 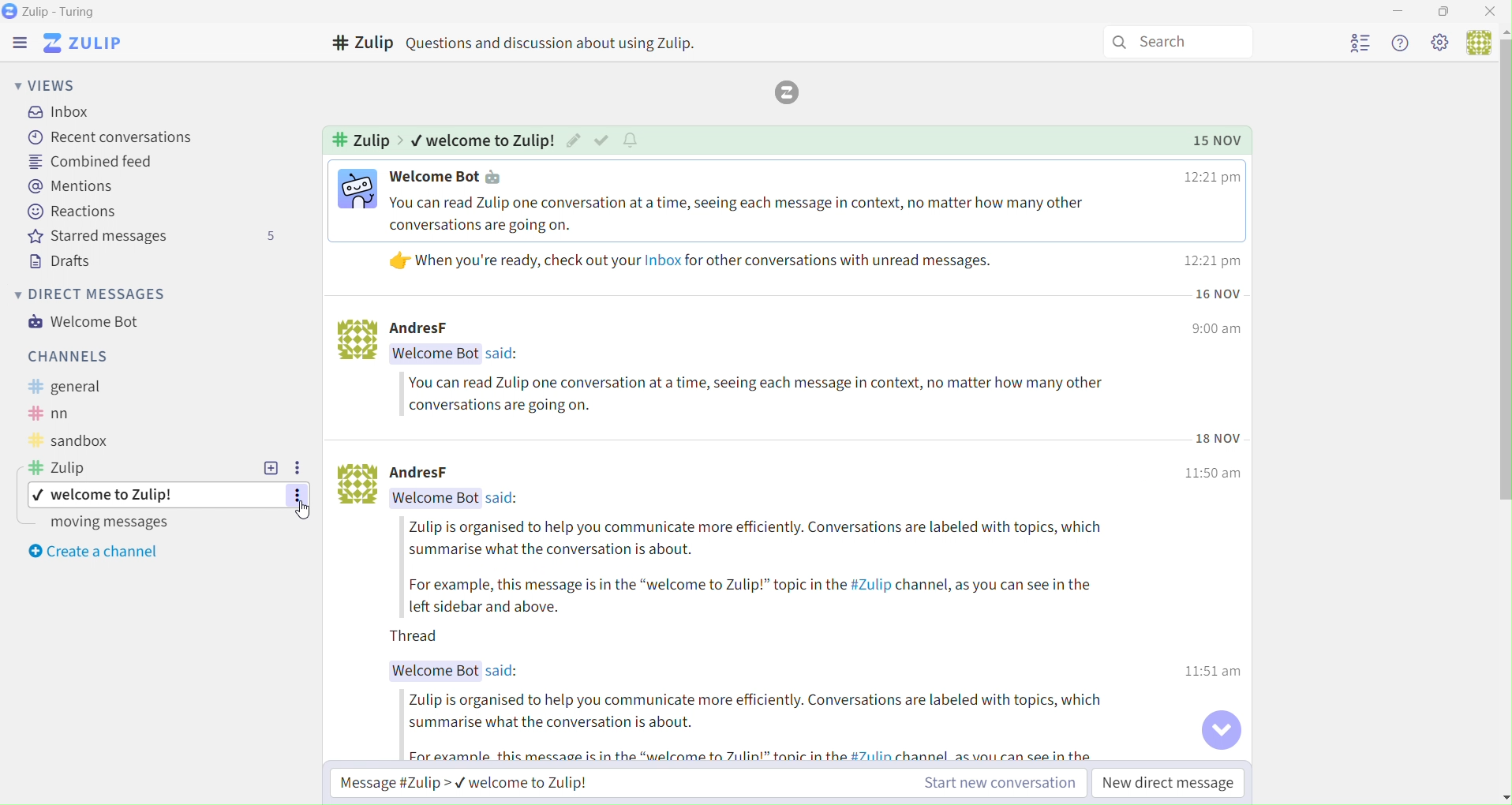 What do you see at coordinates (765, 754) in the screenshot?
I see `Text` at bounding box center [765, 754].